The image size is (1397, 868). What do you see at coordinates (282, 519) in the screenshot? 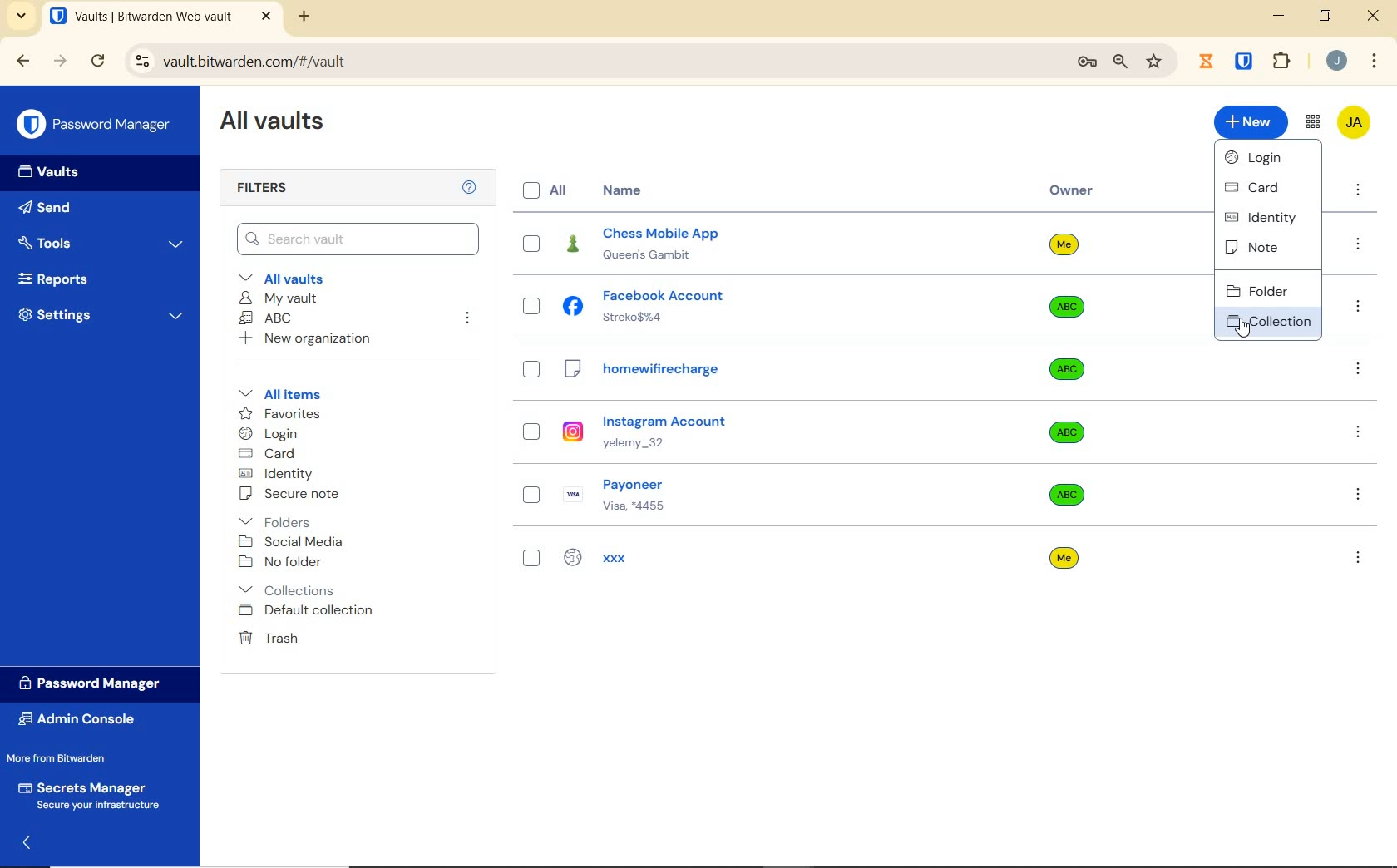
I see `folders` at bounding box center [282, 519].